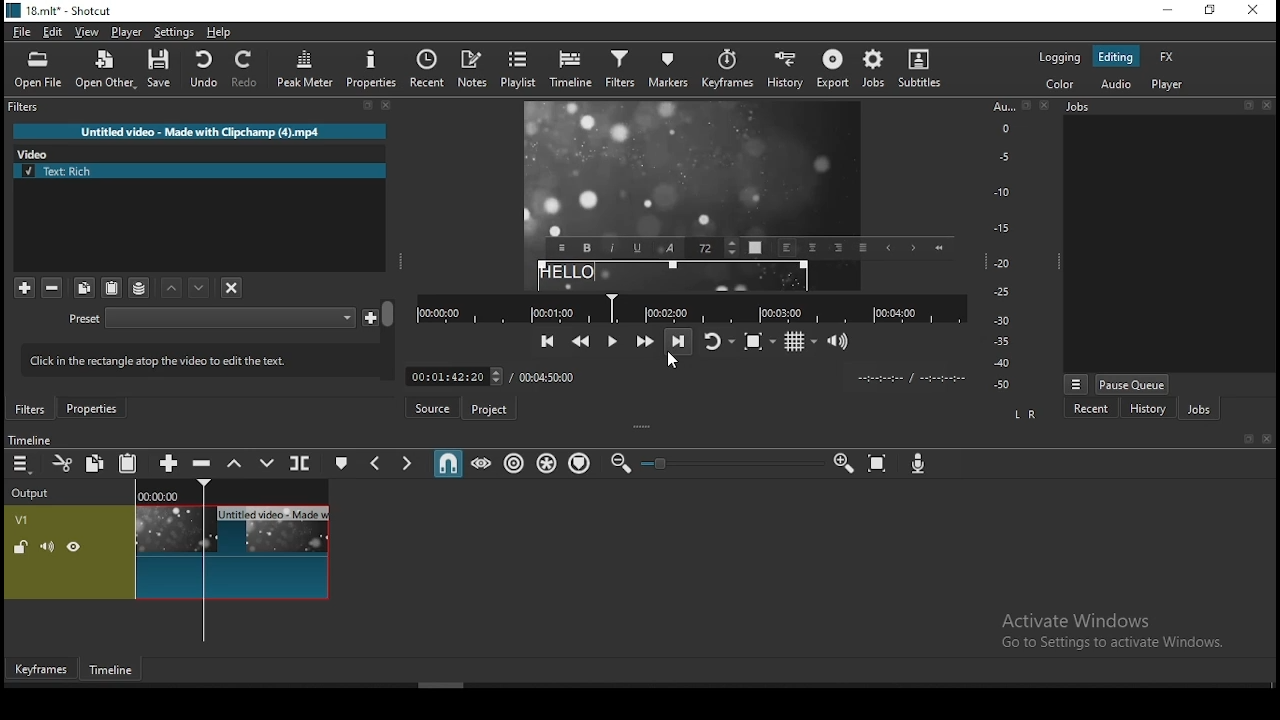 The width and height of the screenshot is (1280, 720). What do you see at coordinates (139, 287) in the screenshot?
I see `save filter sets` at bounding box center [139, 287].